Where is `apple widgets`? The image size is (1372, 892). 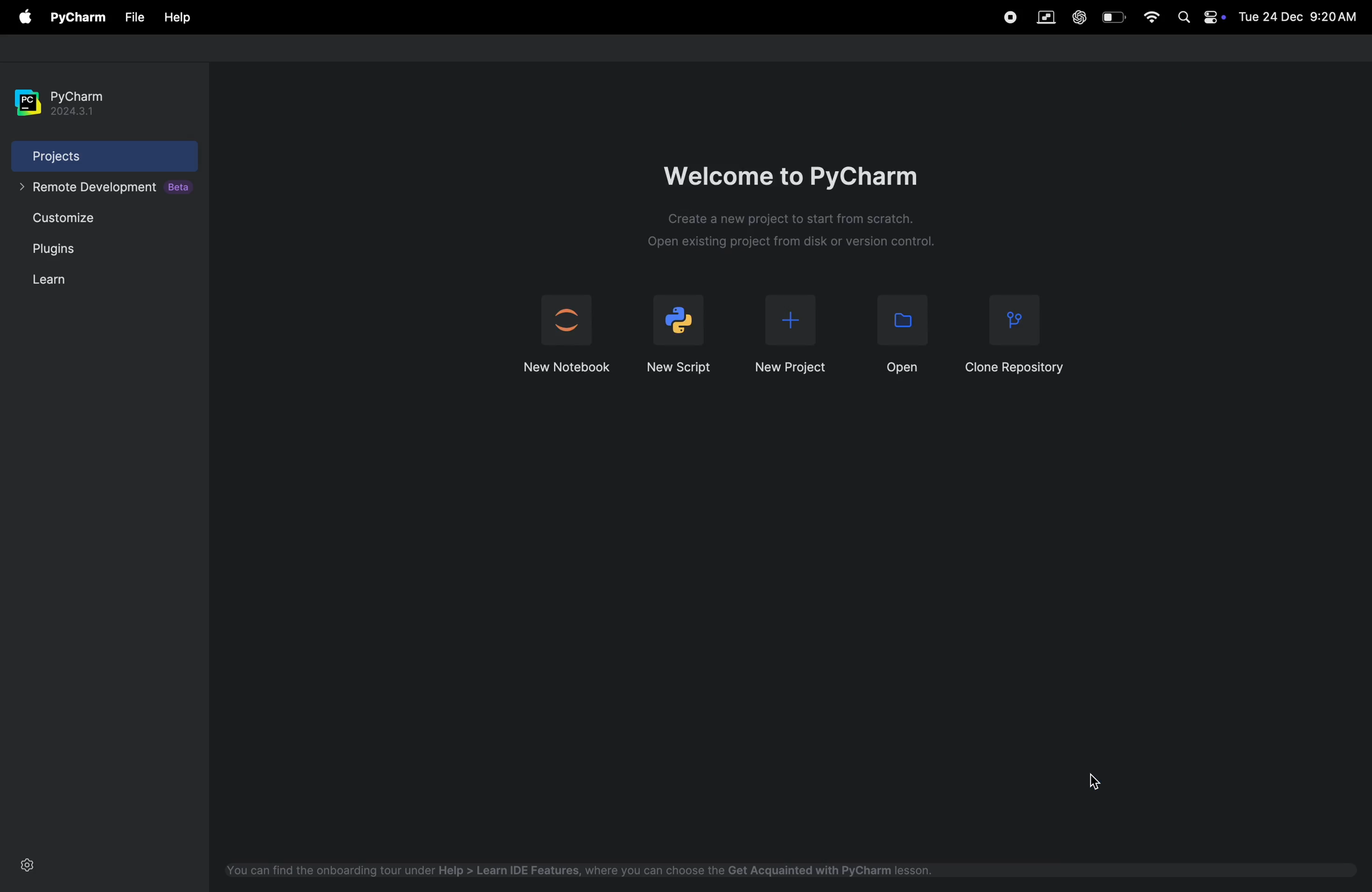 apple widgets is located at coordinates (1215, 16).